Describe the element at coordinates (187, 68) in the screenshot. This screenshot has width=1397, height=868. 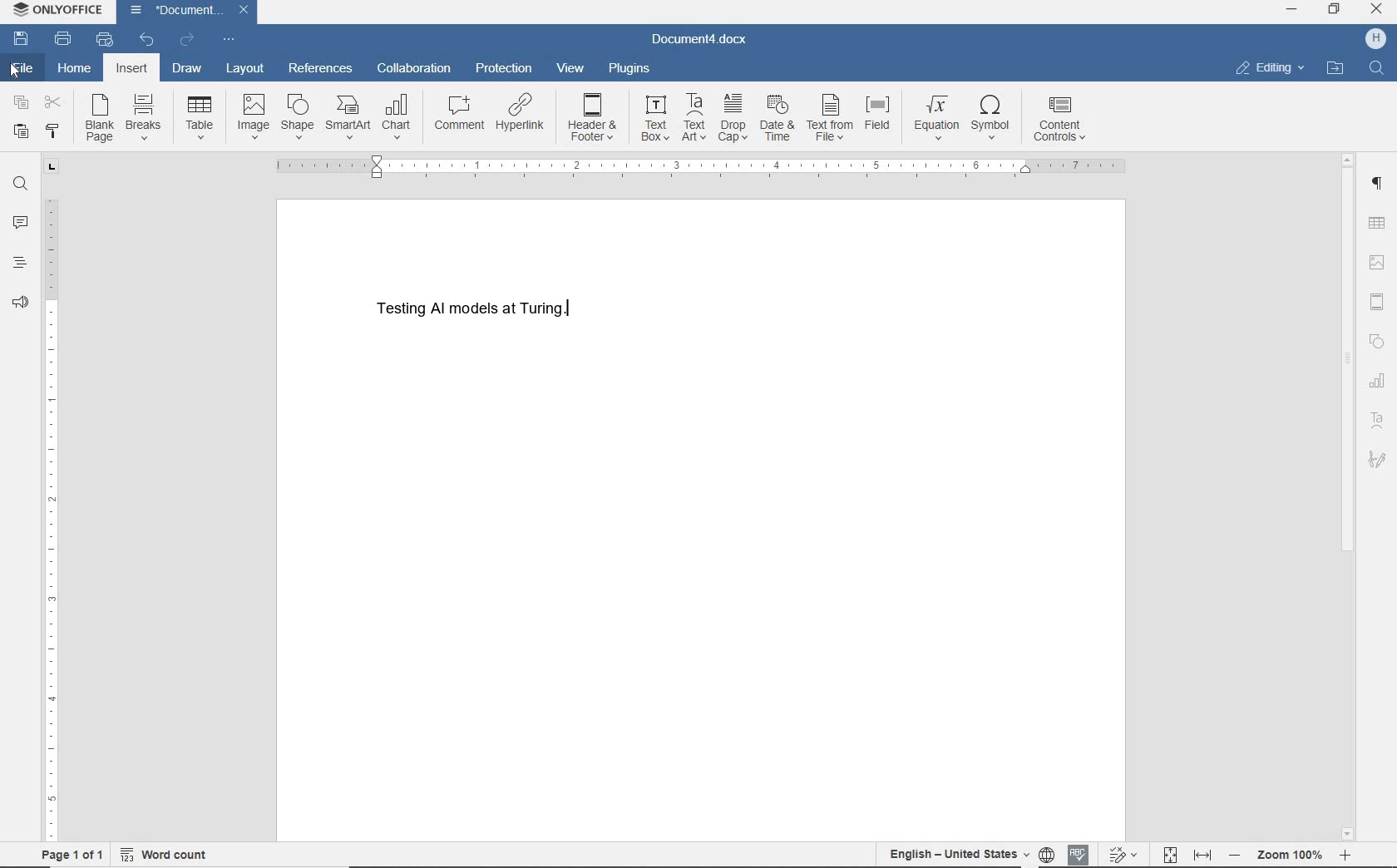
I see `draw` at that location.